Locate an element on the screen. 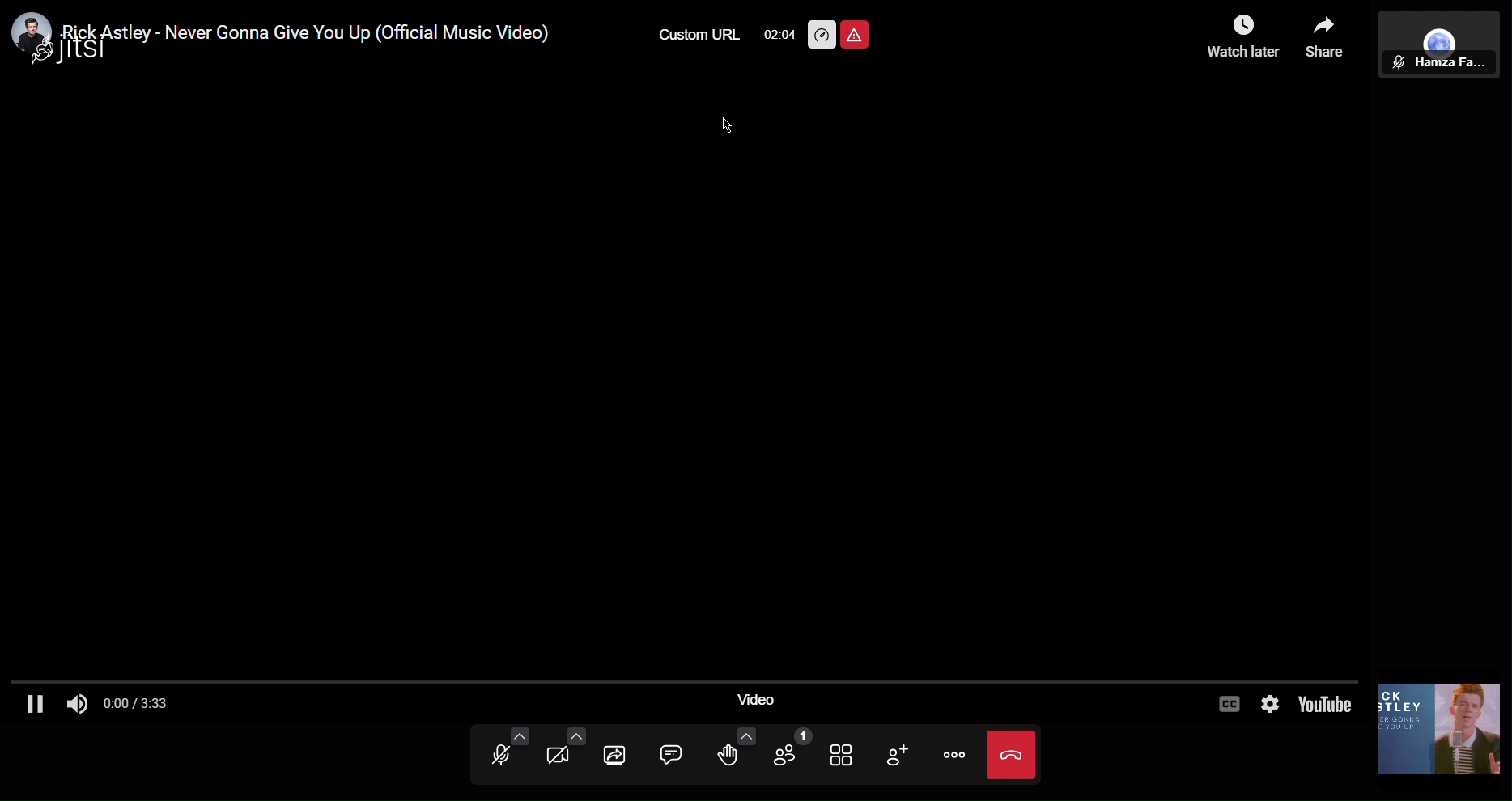 The width and height of the screenshot is (1512, 801). Share is located at coordinates (1332, 36).